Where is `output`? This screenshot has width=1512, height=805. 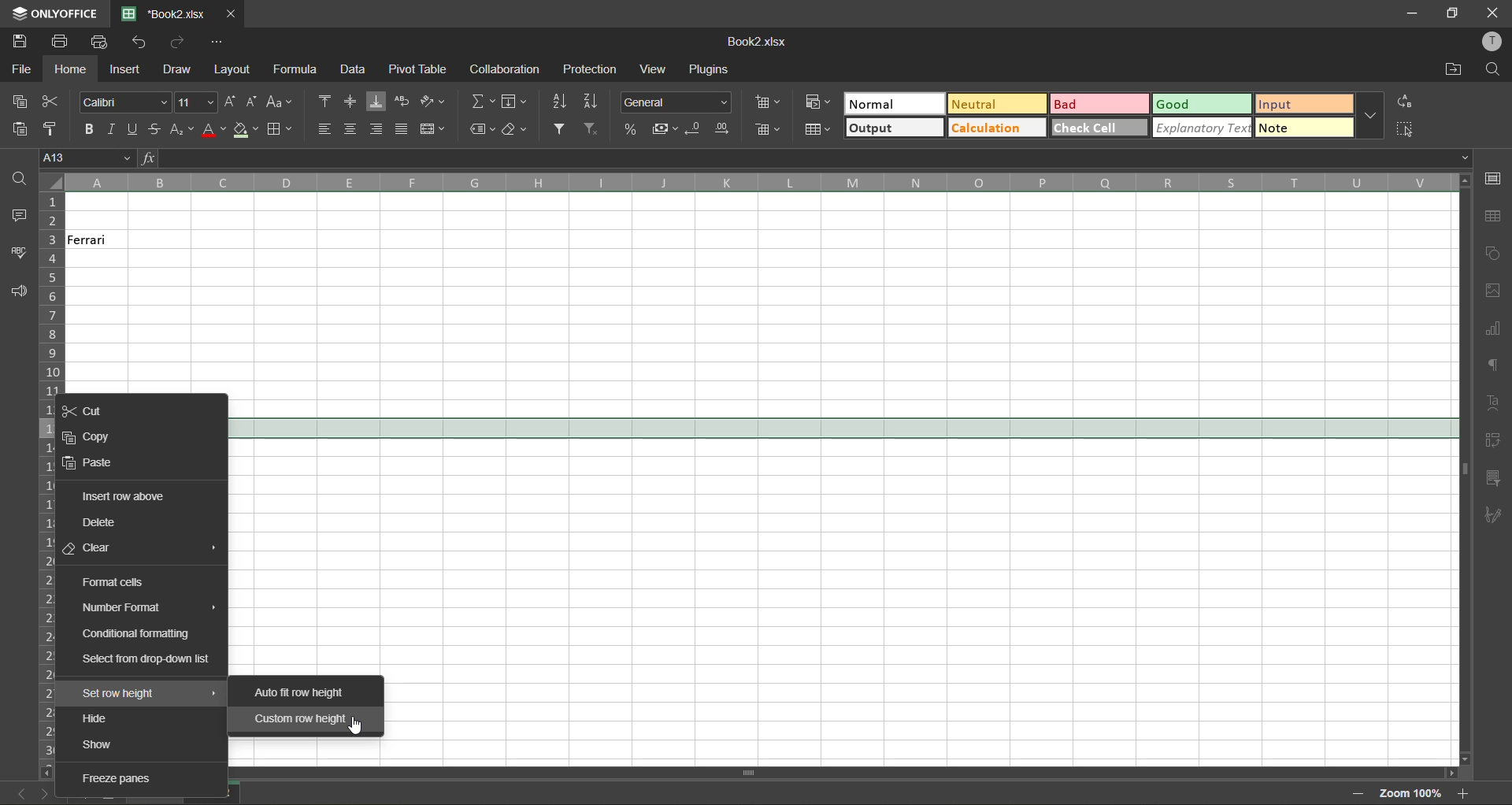
output is located at coordinates (893, 127).